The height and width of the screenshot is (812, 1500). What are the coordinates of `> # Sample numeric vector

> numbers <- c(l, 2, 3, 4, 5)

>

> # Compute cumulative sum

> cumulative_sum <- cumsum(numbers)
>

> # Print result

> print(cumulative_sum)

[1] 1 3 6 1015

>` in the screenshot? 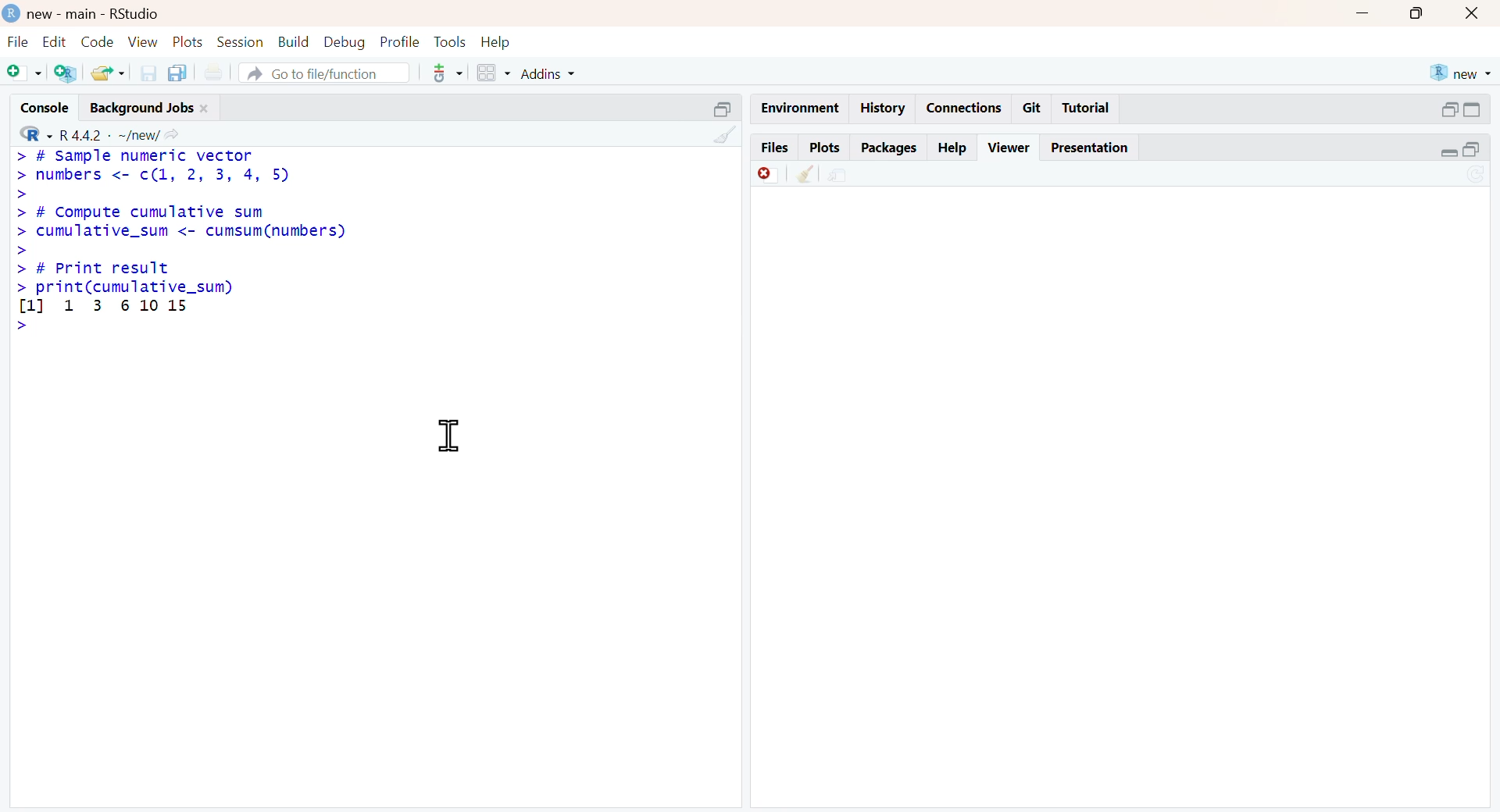 It's located at (183, 243).